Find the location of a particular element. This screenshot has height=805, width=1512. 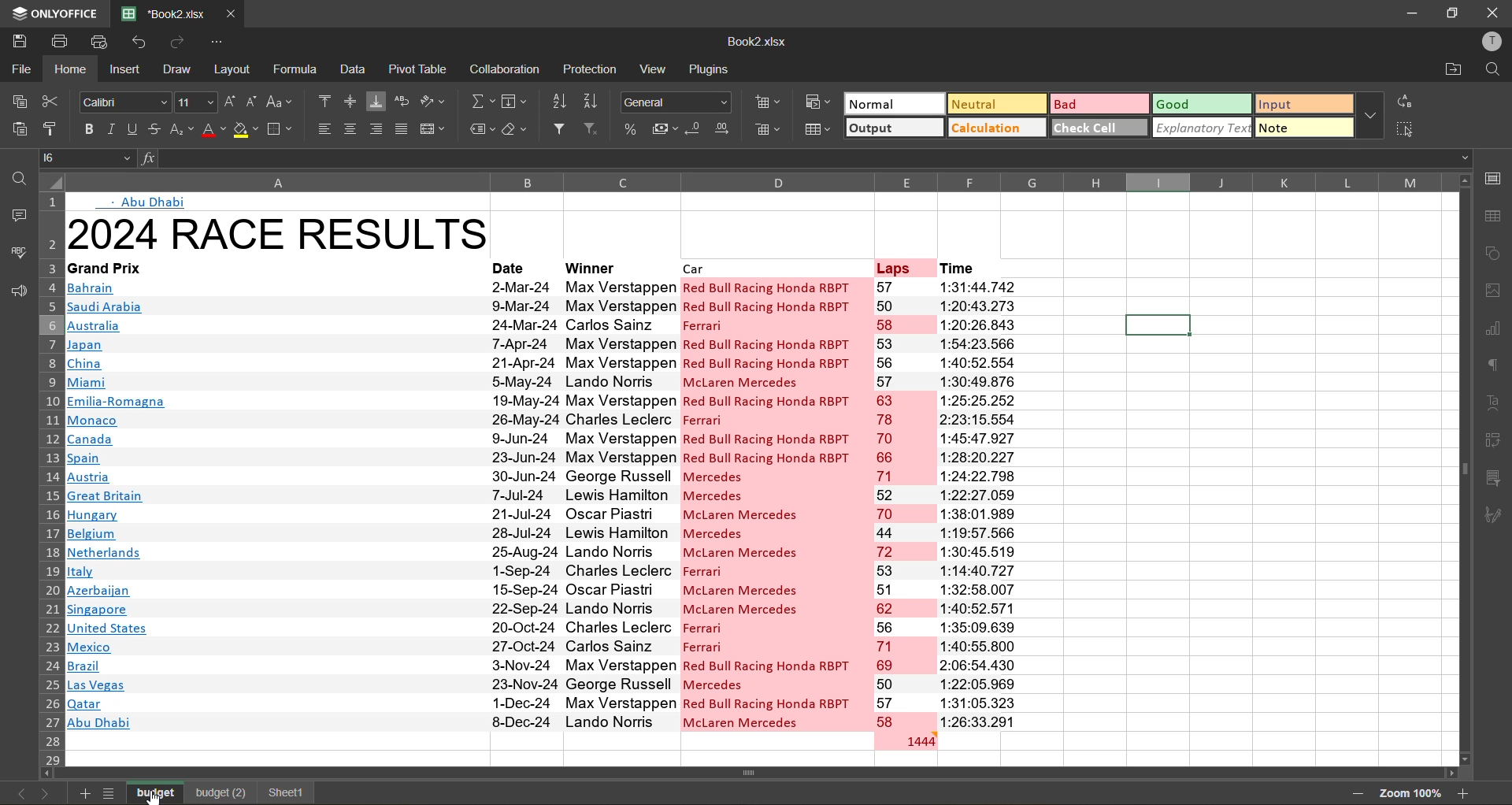

budget(2) is located at coordinates (220, 793).